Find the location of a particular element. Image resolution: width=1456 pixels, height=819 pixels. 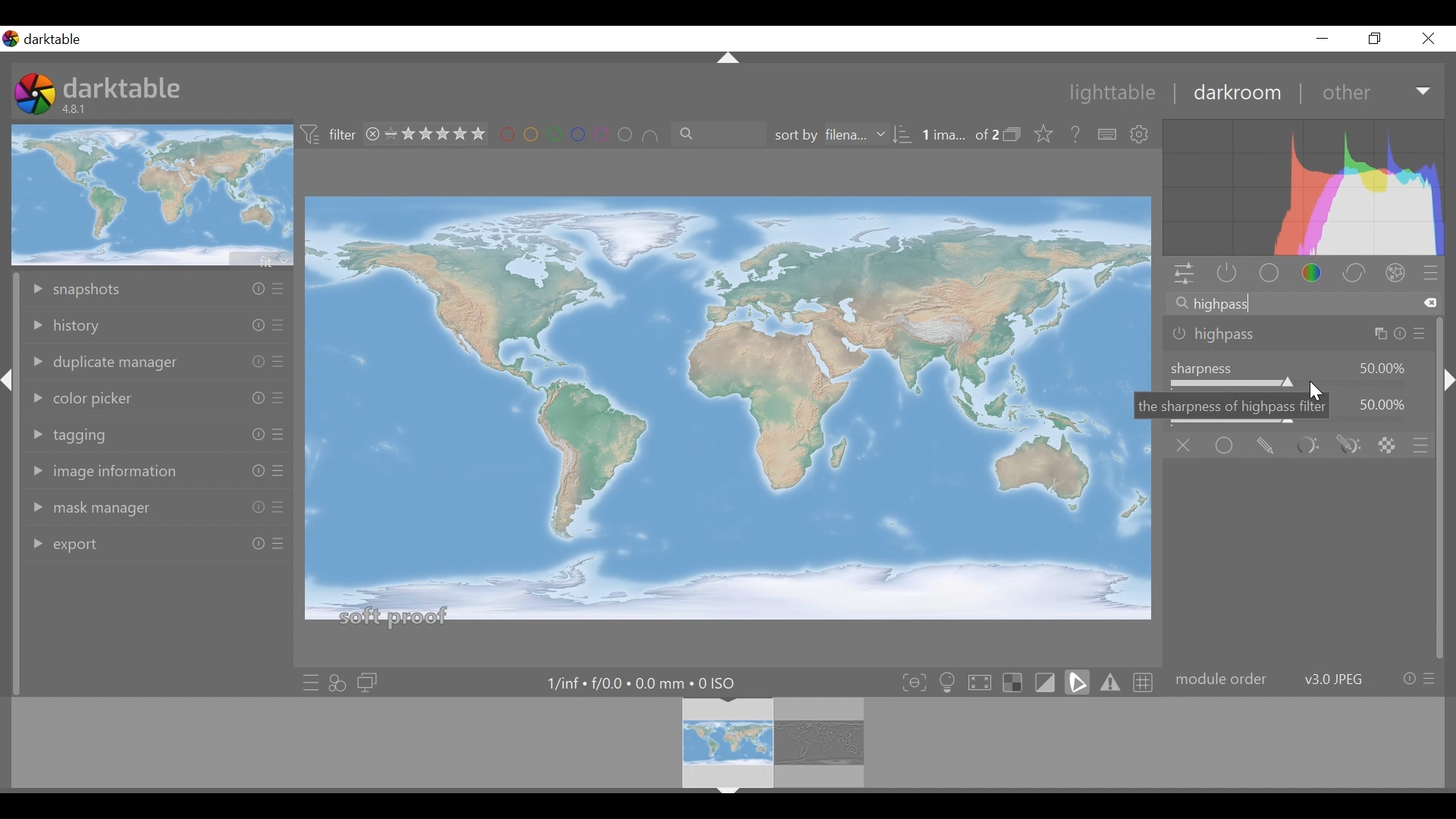

base is located at coordinates (1267, 275).